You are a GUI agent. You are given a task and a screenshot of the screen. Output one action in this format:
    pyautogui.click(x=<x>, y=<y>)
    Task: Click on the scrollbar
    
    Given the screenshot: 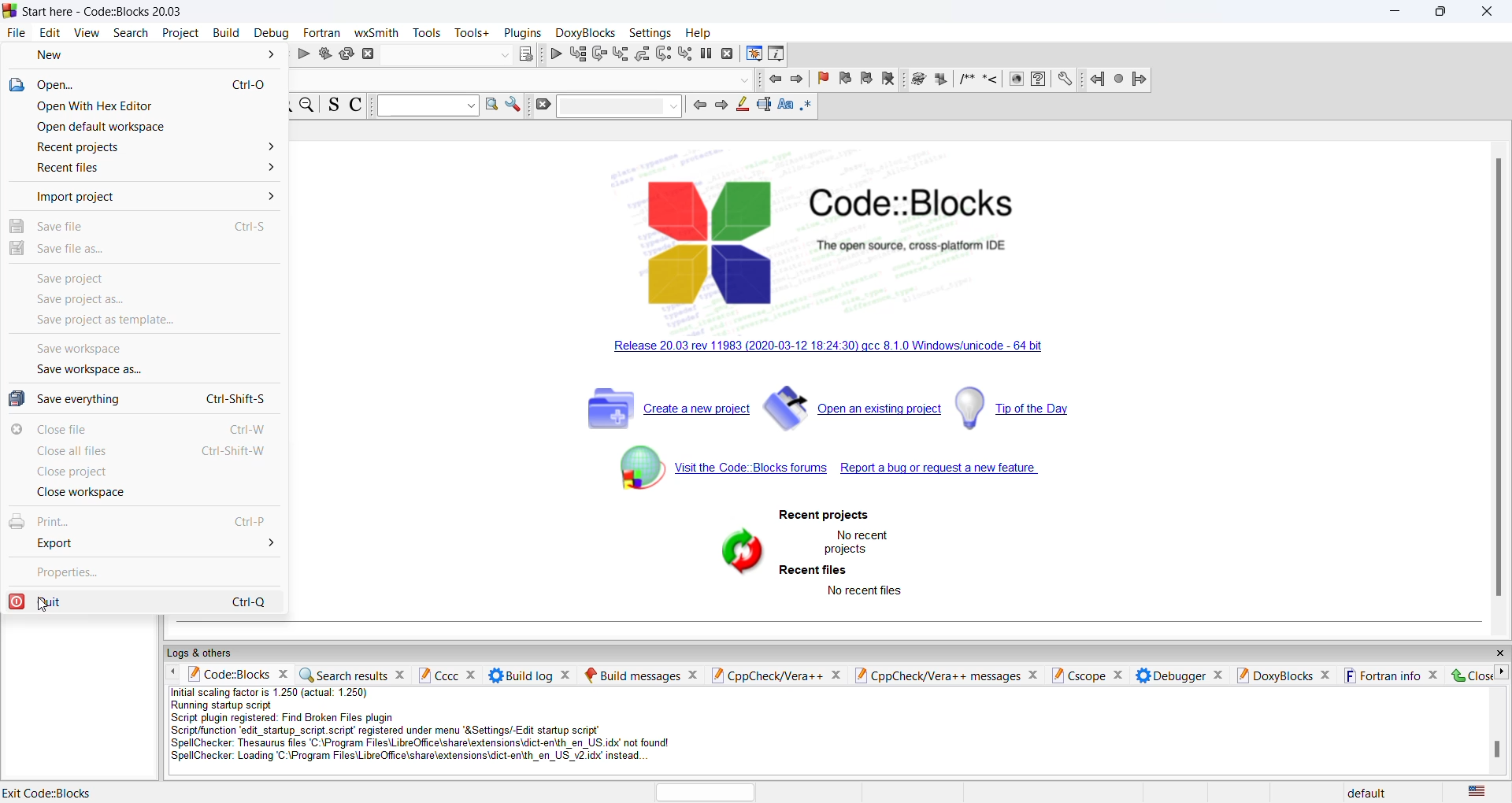 What is the action you would take?
    pyautogui.click(x=1499, y=381)
    